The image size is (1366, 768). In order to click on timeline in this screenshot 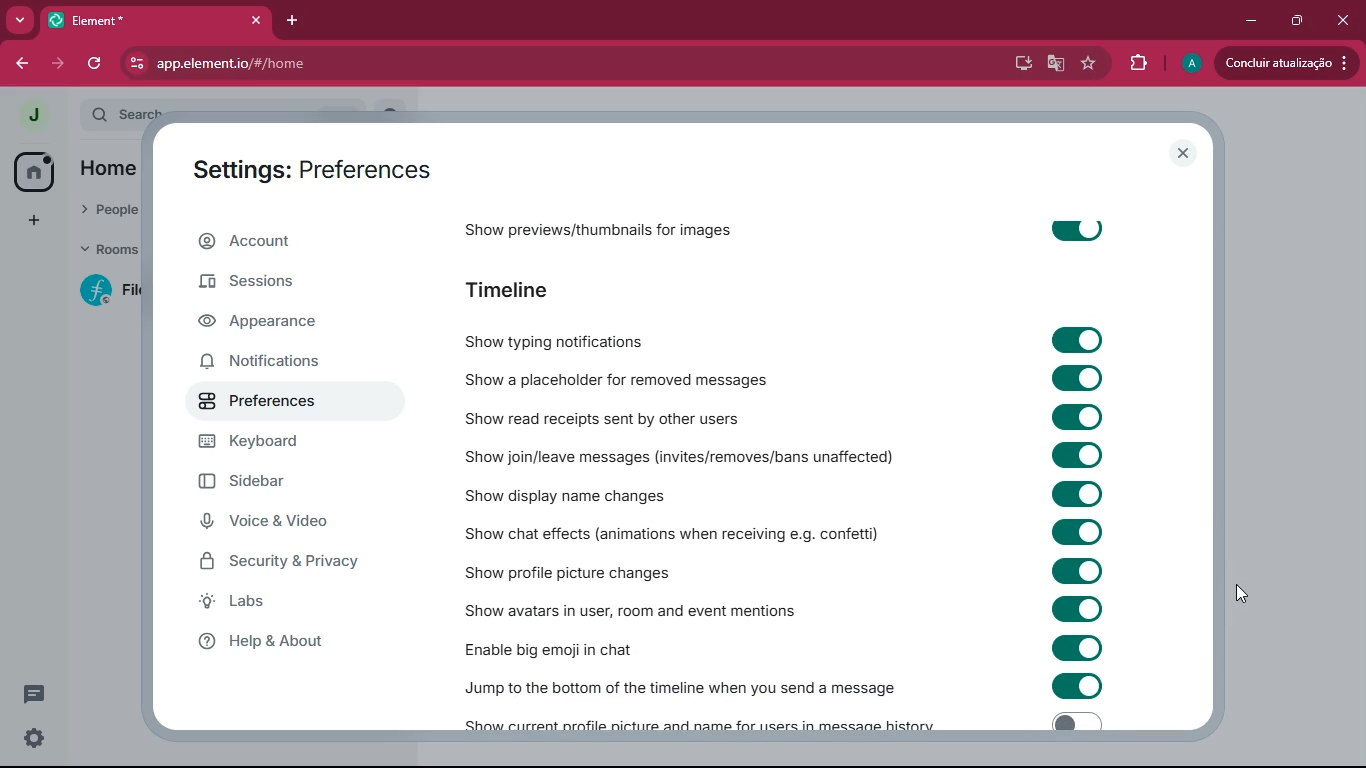, I will do `click(523, 292)`.